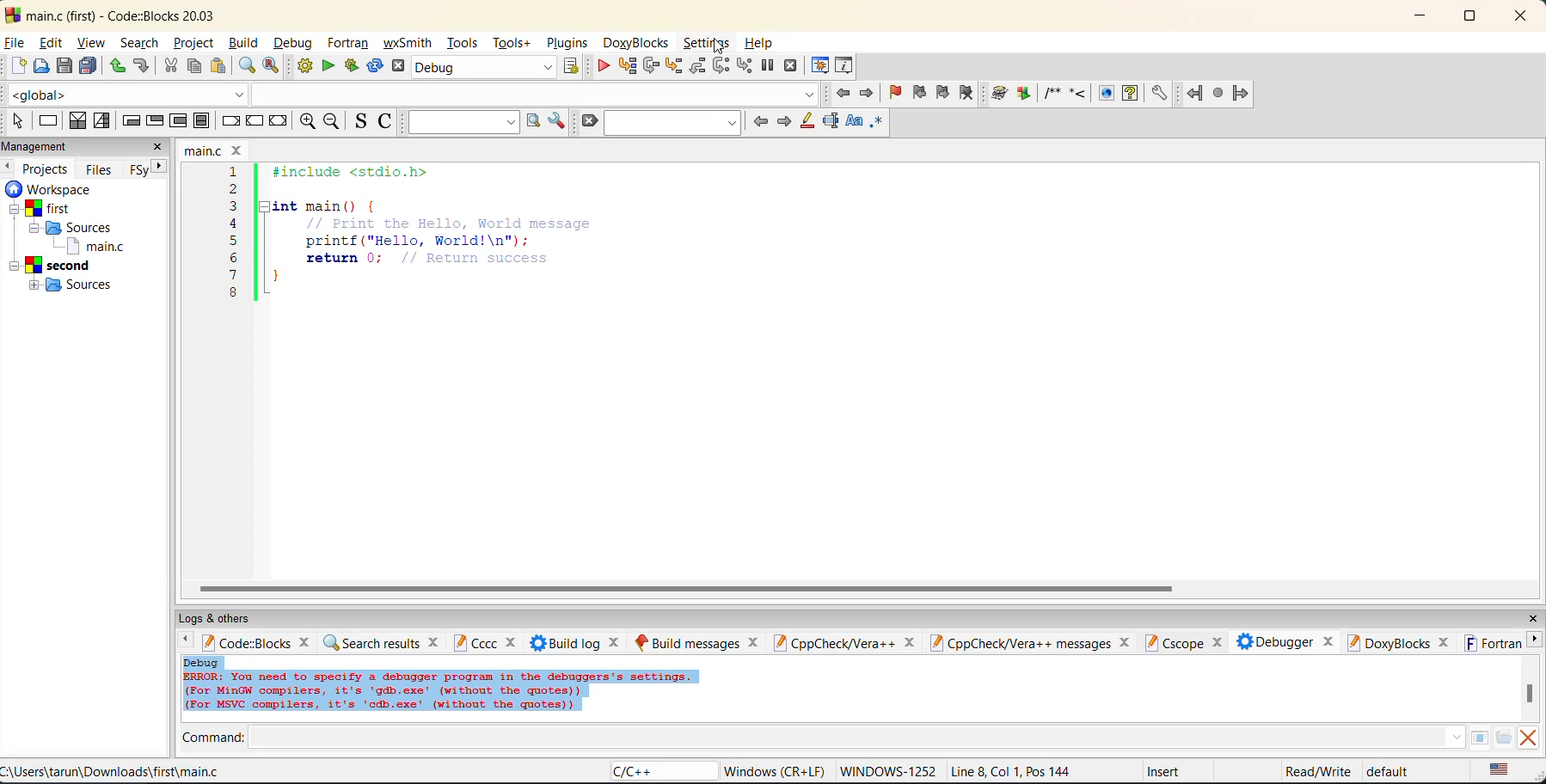  Describe the element at coordinates (1242, 95) in the screenshot. I see `jump forward` at that location.